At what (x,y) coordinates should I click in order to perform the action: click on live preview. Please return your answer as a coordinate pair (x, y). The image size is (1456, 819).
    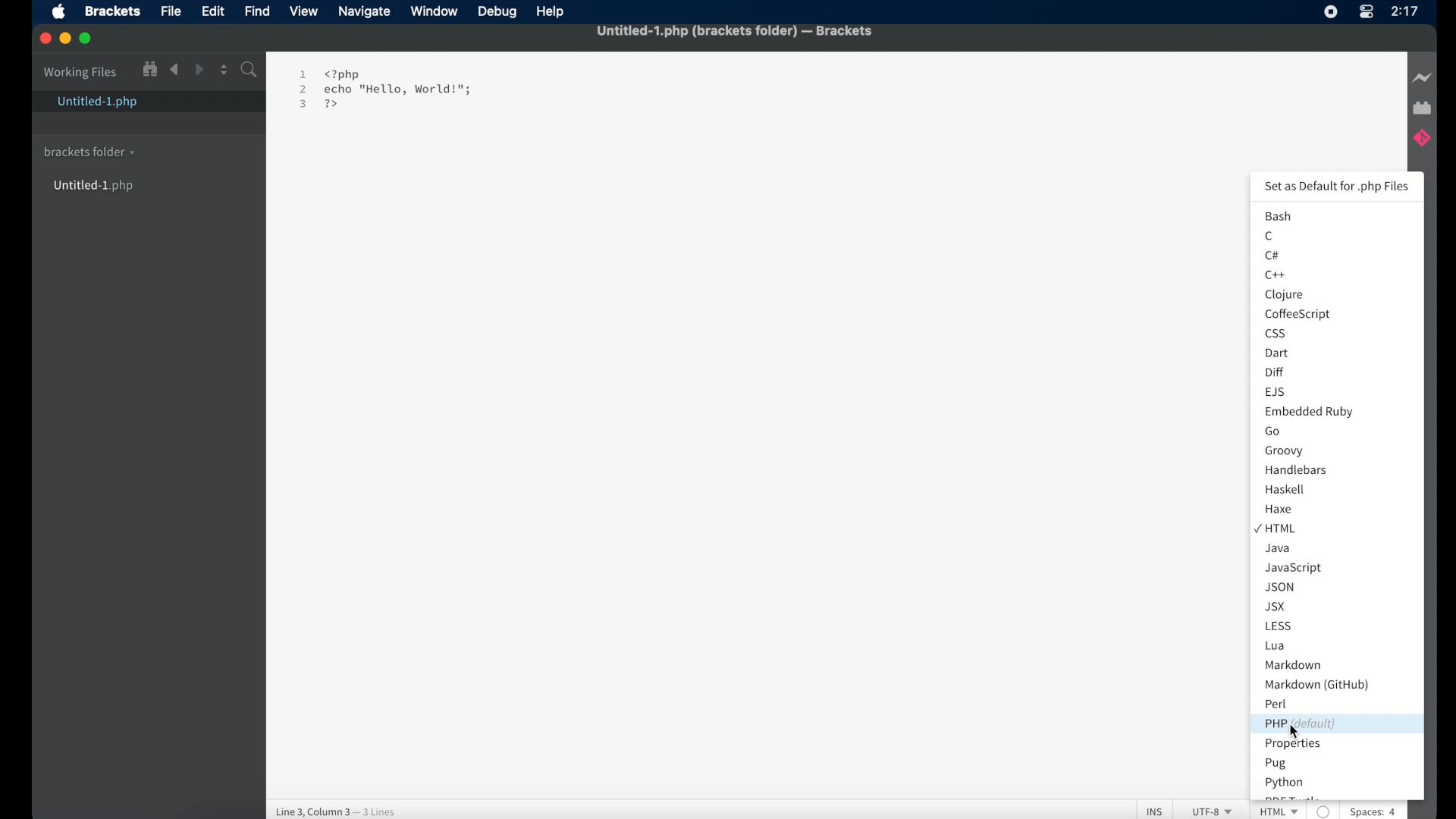
    Looking at the image, I should click on (1423, 78).